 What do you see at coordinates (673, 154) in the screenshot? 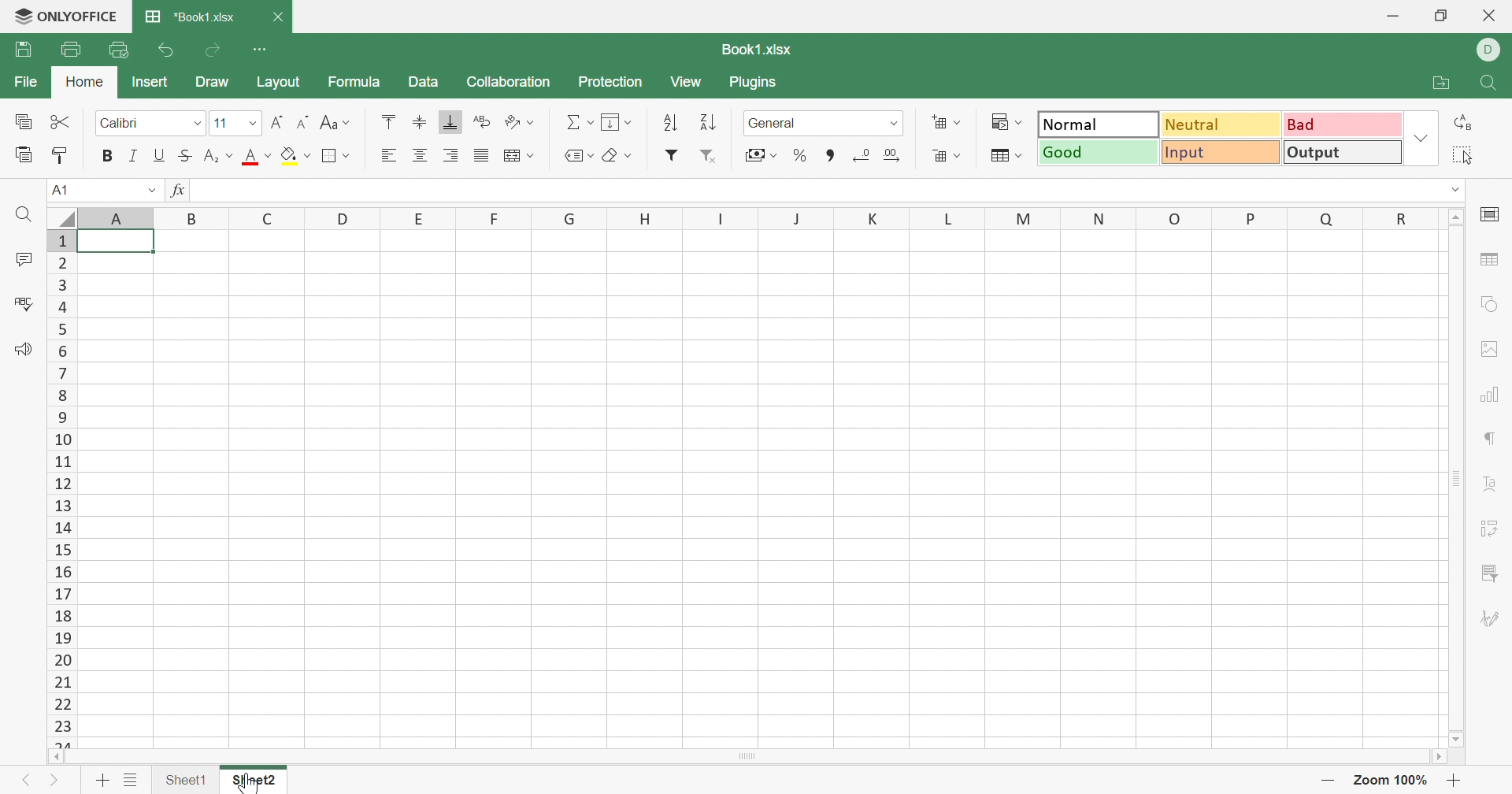
I see `Add filter` at bounding box center [673, 154].